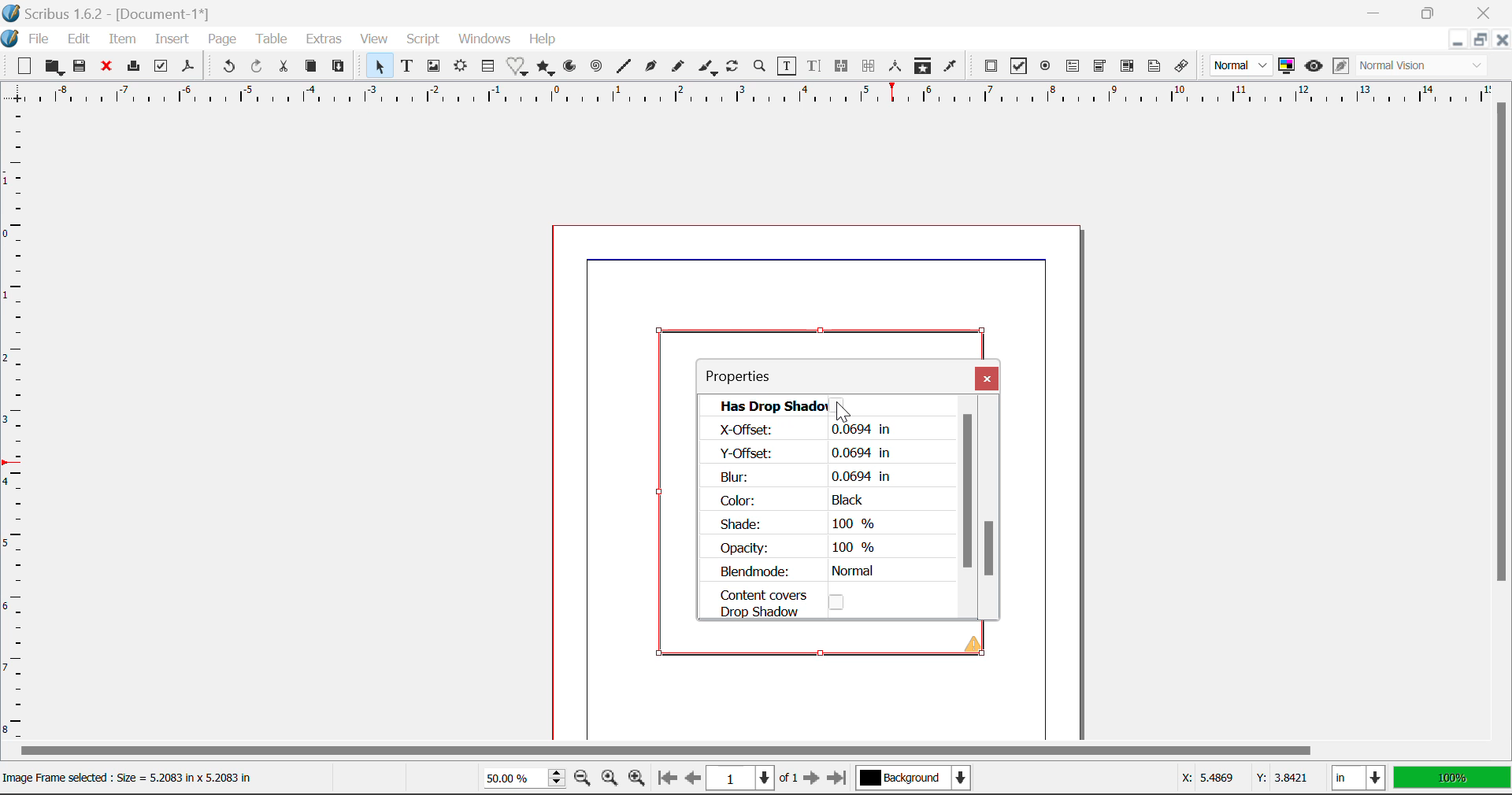 The height and width of the screenshot is (795, 1512). I want to click on Zoom settings, so click(609, 778).